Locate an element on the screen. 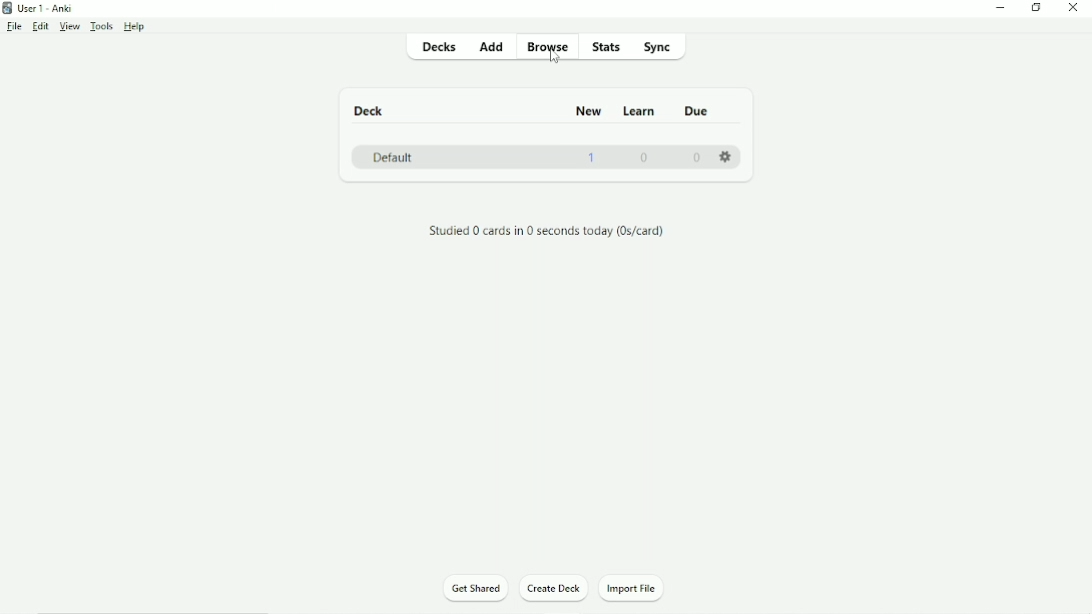 The height and width of the screenshot is (614, 1092). Learn is located at coordinates (641, 110).